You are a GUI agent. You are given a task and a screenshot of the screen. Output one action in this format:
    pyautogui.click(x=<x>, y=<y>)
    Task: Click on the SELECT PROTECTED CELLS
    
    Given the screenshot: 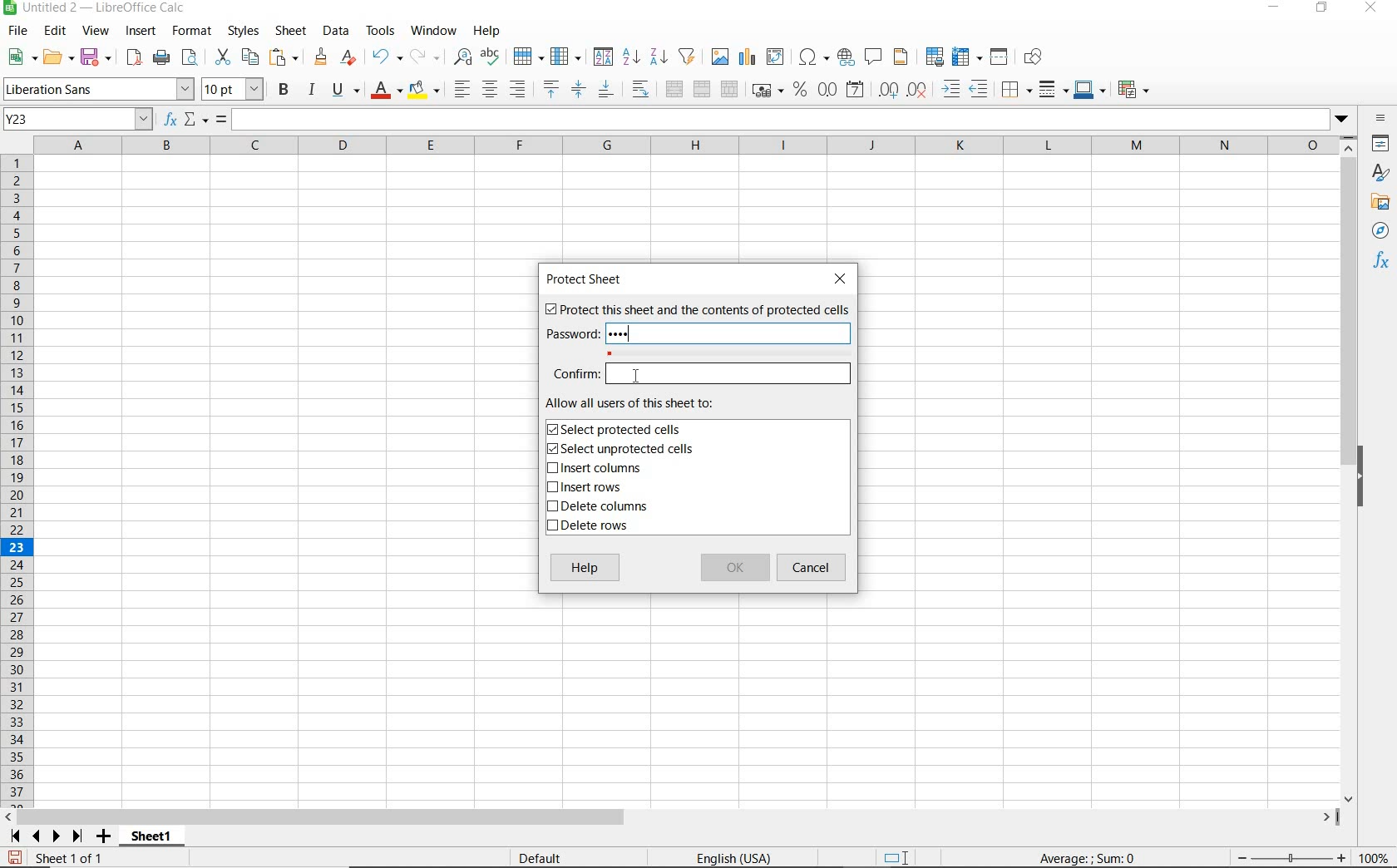 What is the action you would take?
    pyautogui.click(x=618, y=429)
    